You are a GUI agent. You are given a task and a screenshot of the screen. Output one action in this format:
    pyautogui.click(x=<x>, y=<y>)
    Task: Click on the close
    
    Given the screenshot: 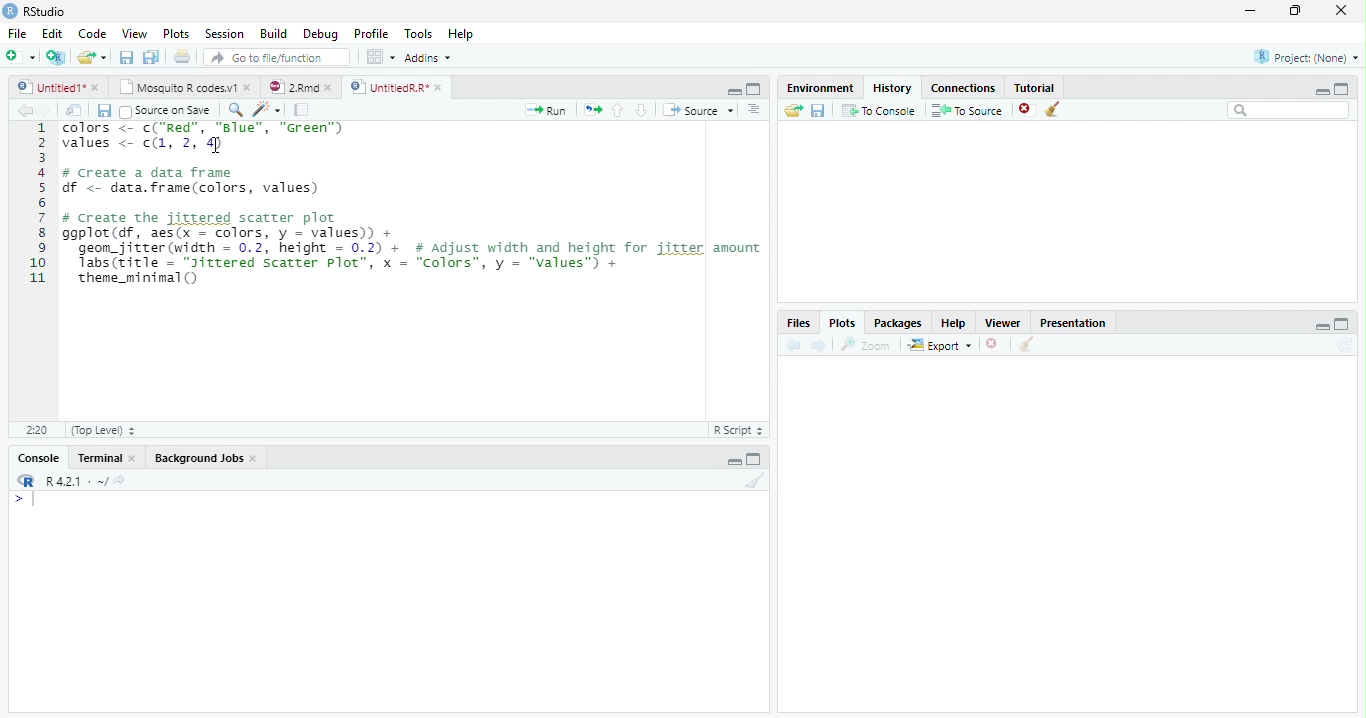 What is the action you would take?
    pyautogui.click(x=254, y=458)
    